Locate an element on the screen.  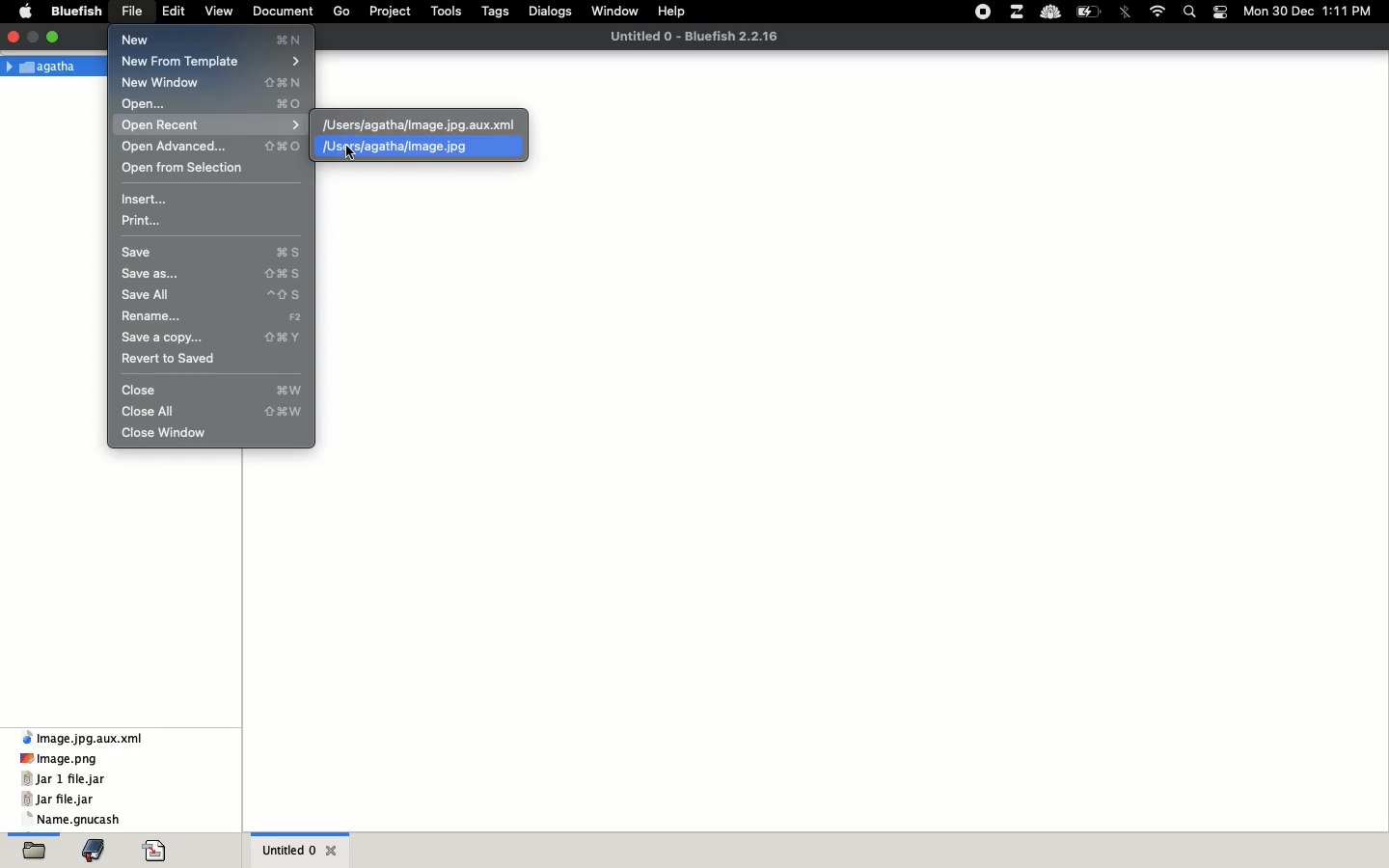
file is located at coordinates (134, 10).